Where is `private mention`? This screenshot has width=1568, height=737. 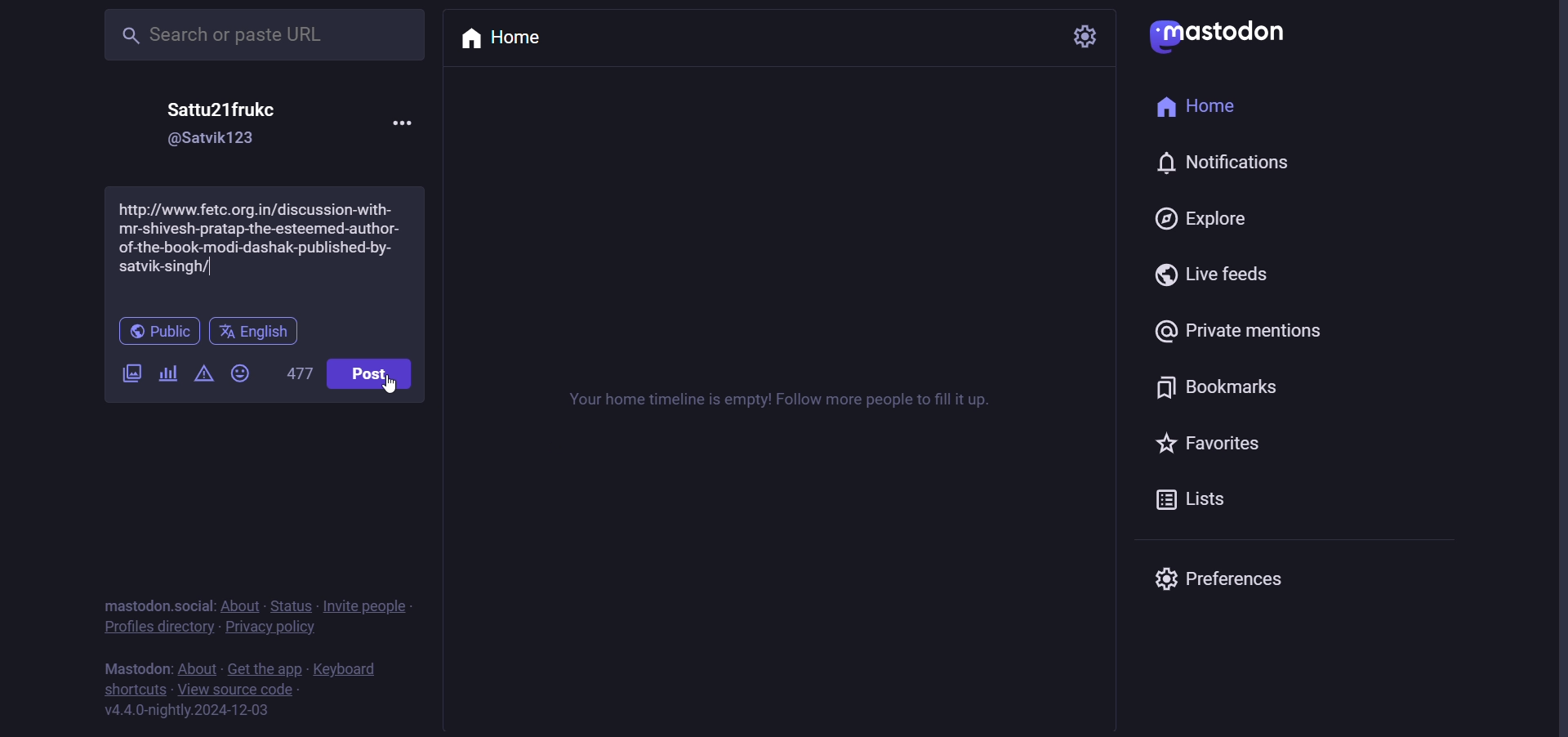 private mention is located at coordinates (1240, 328).